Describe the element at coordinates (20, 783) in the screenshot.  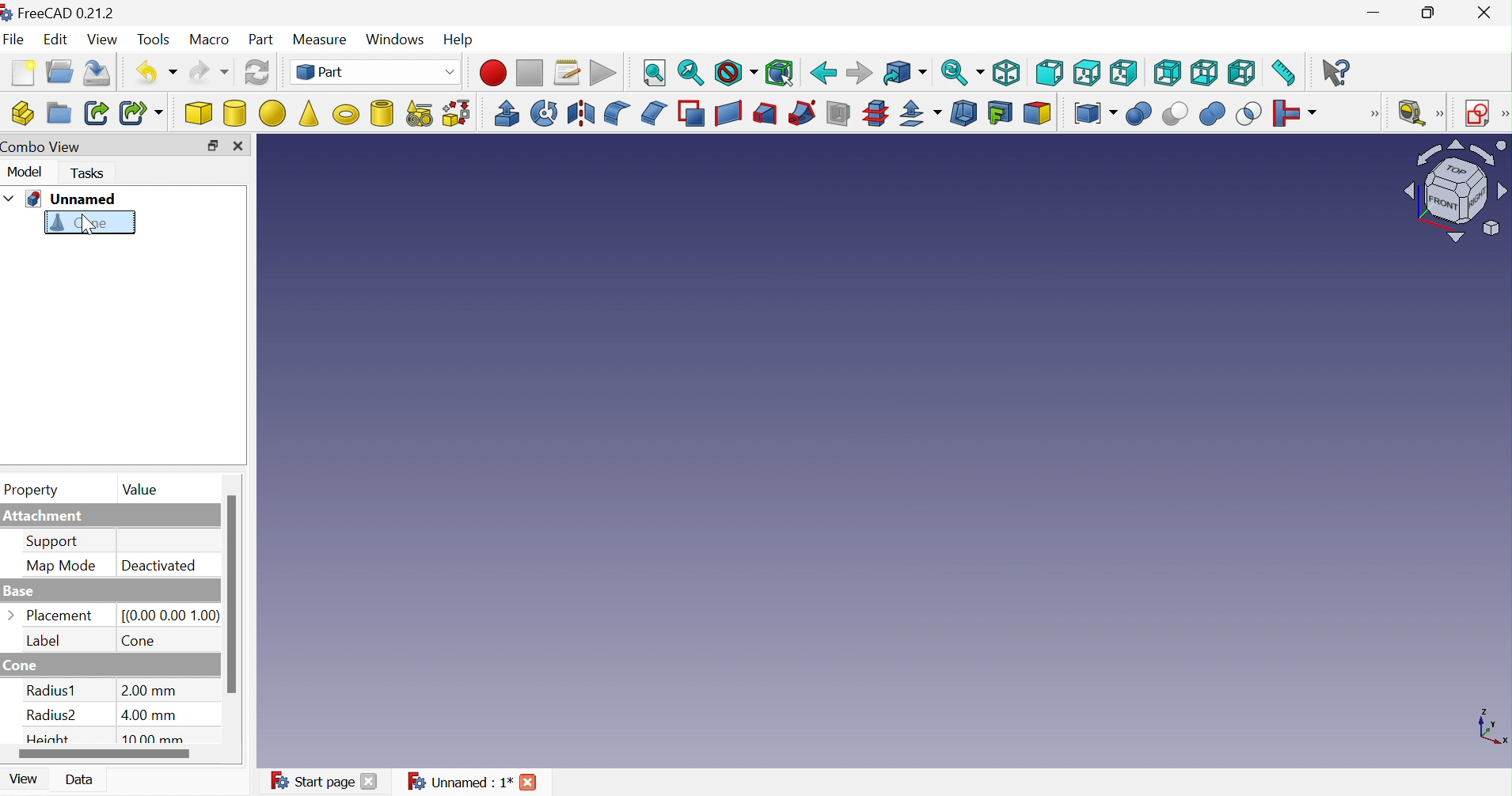
I see `View` at that location.